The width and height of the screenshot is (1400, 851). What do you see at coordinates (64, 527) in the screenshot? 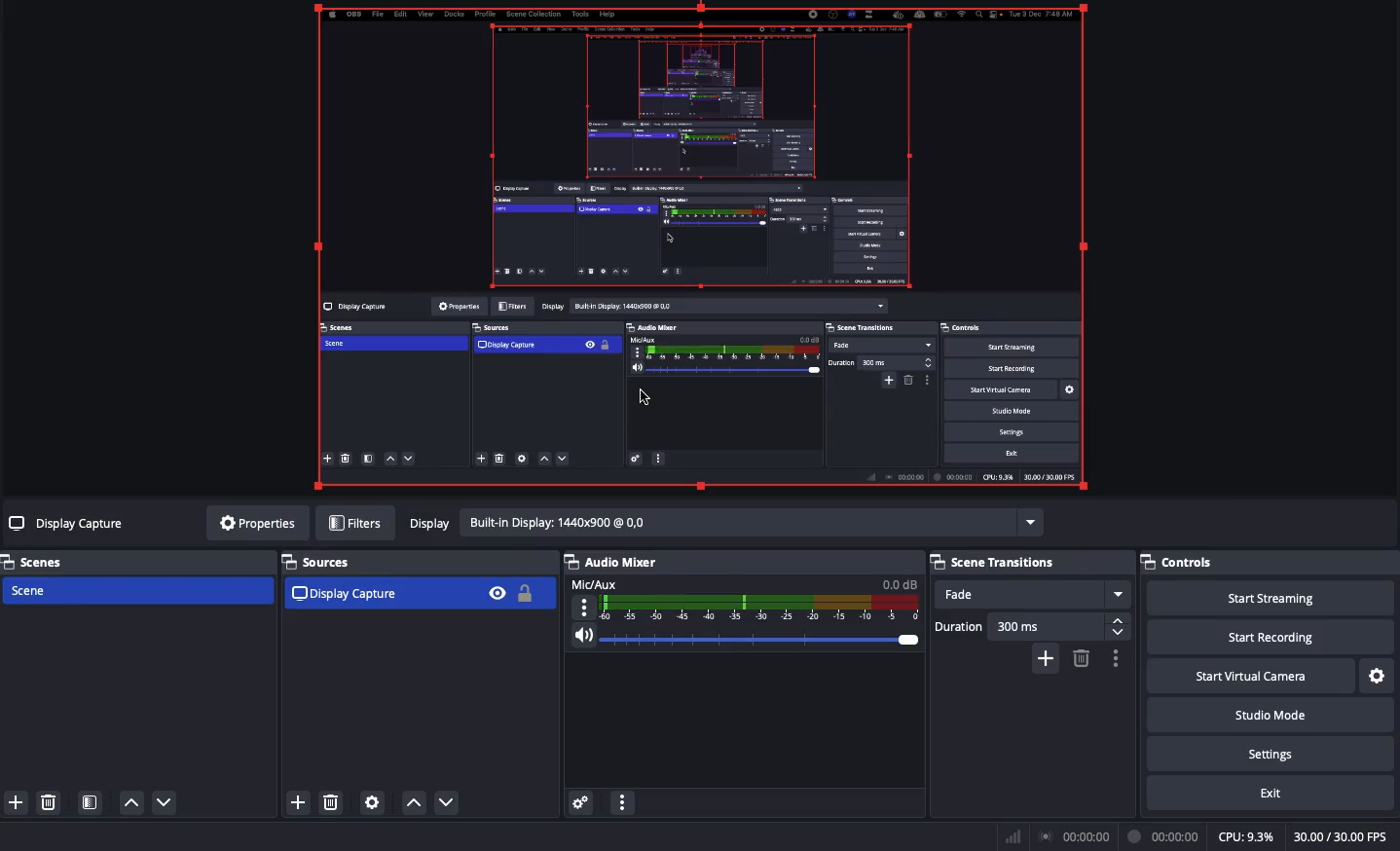
I see `Display capture` at bounding box center [64, 527].